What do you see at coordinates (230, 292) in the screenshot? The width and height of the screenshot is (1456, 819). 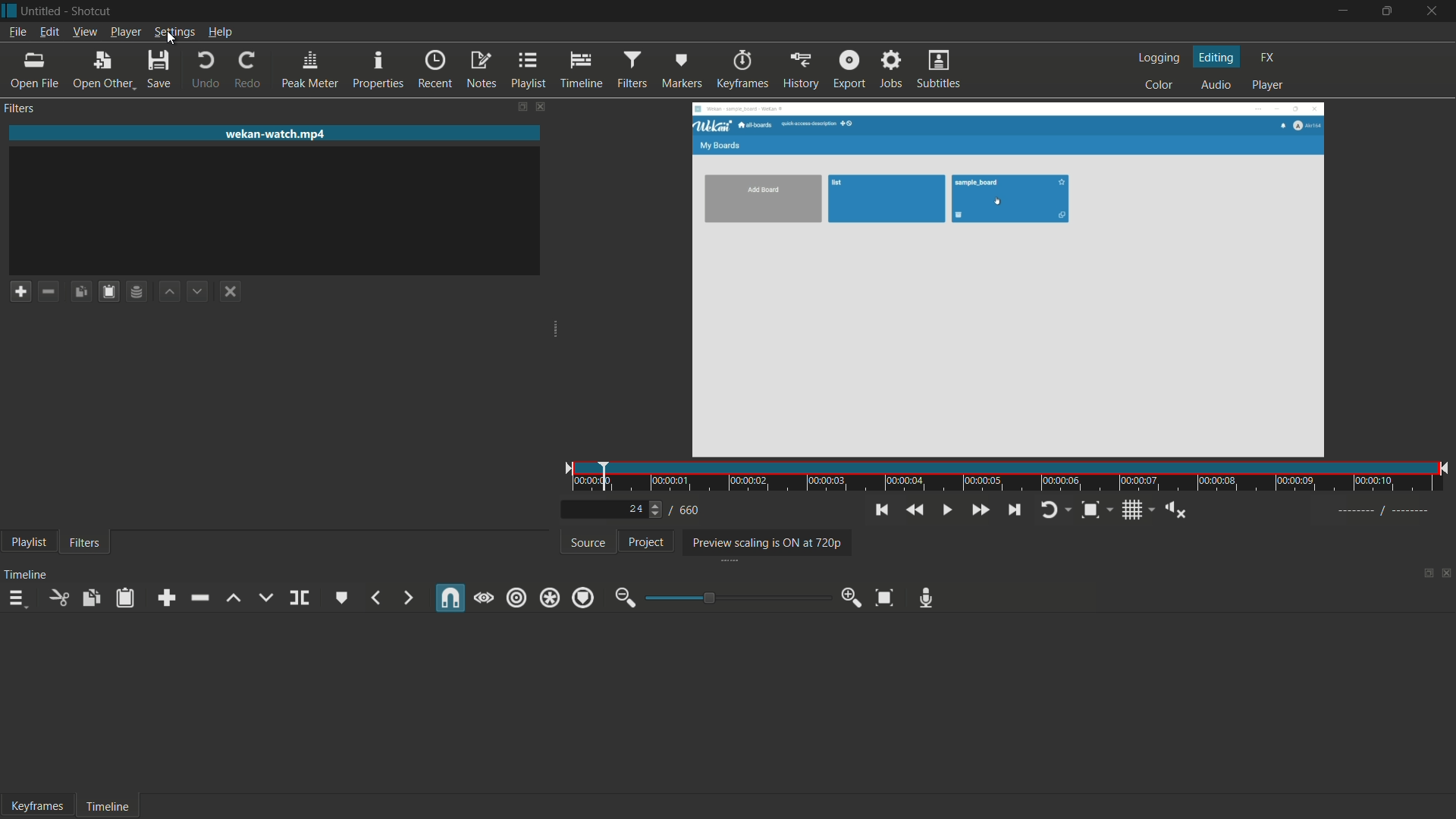 I see `deselect a filter` at bounding box center [230, 292].